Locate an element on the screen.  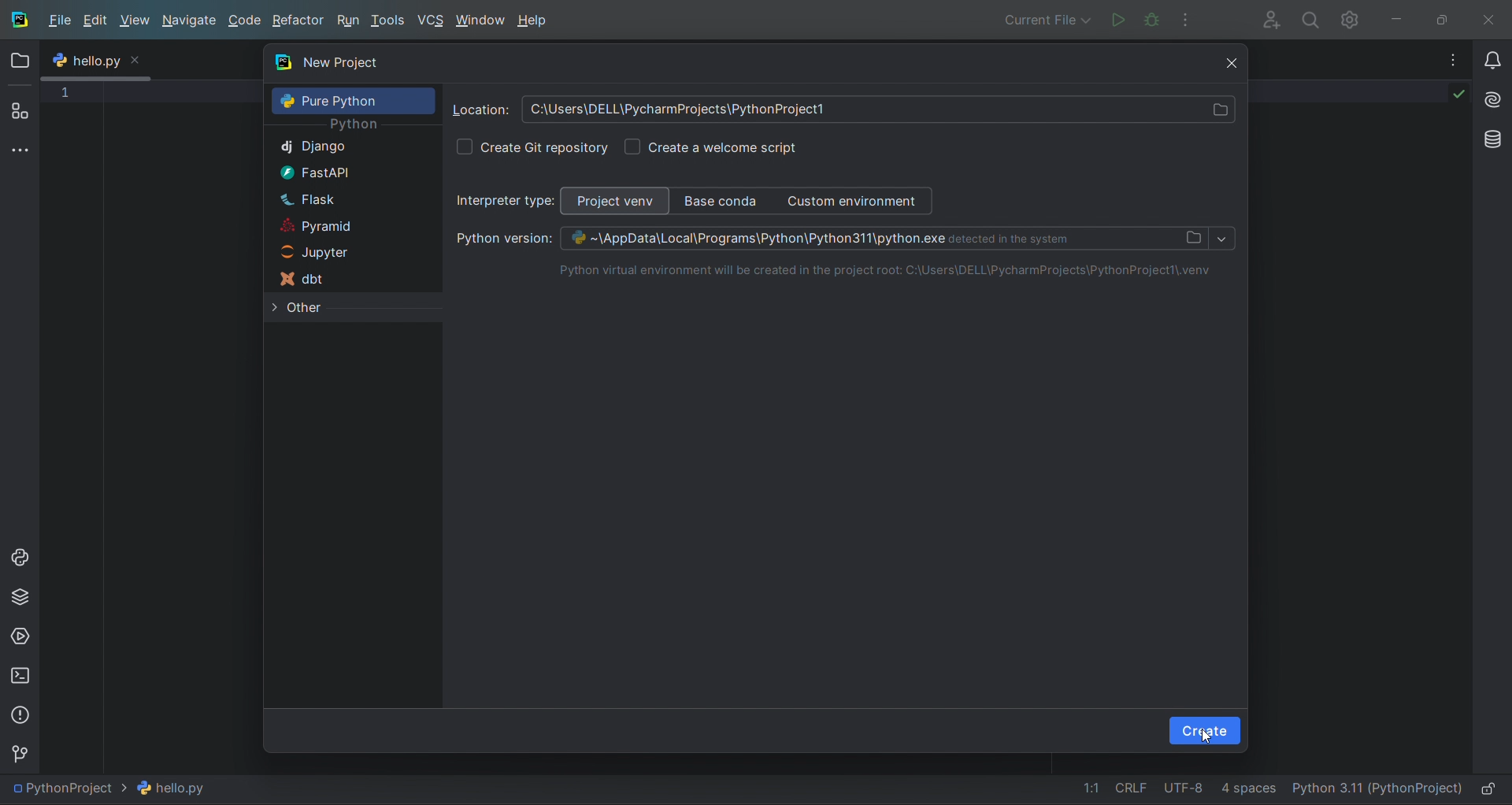
add user is located at coordinates (1266, 19).